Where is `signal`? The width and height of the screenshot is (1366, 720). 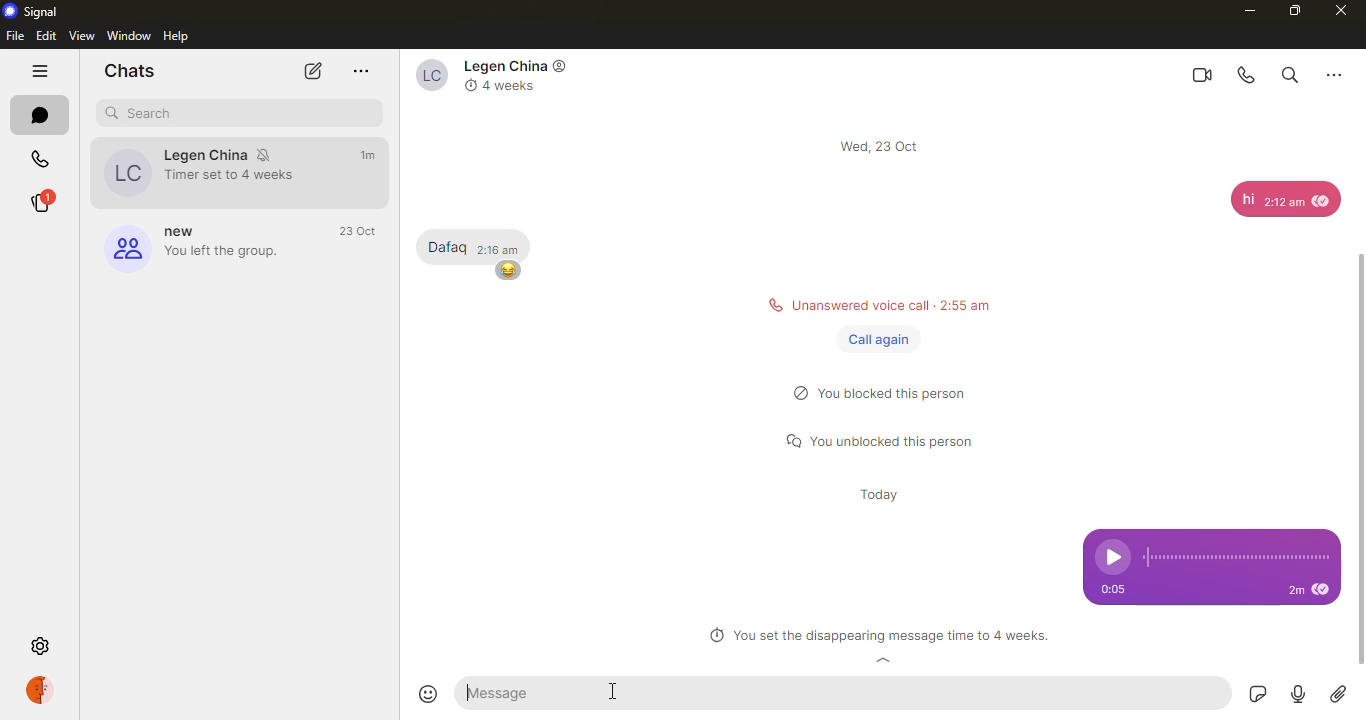 signal is located at coordinates (34, 11).